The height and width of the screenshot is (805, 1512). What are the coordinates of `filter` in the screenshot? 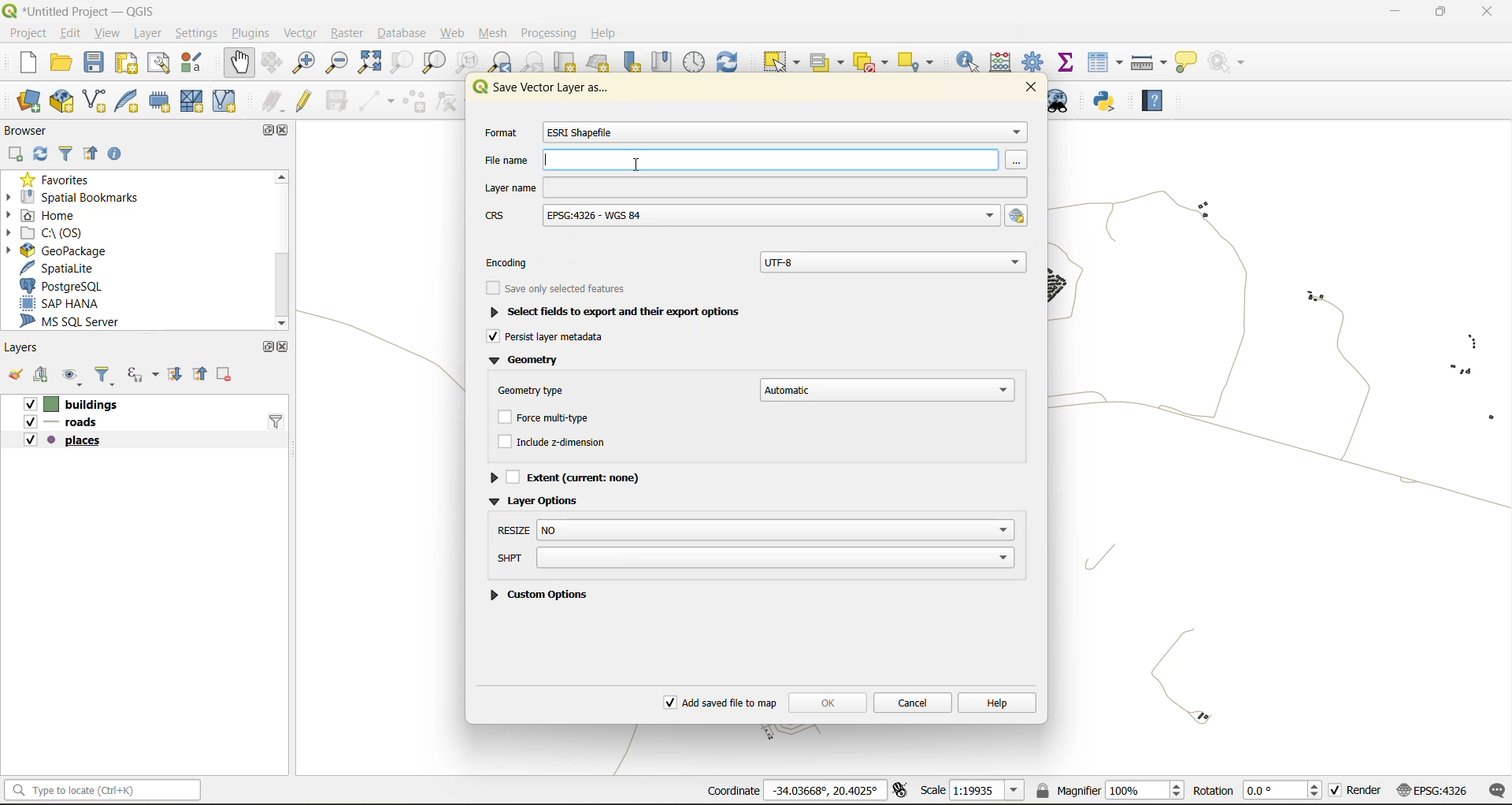 It's located at (107, 375).